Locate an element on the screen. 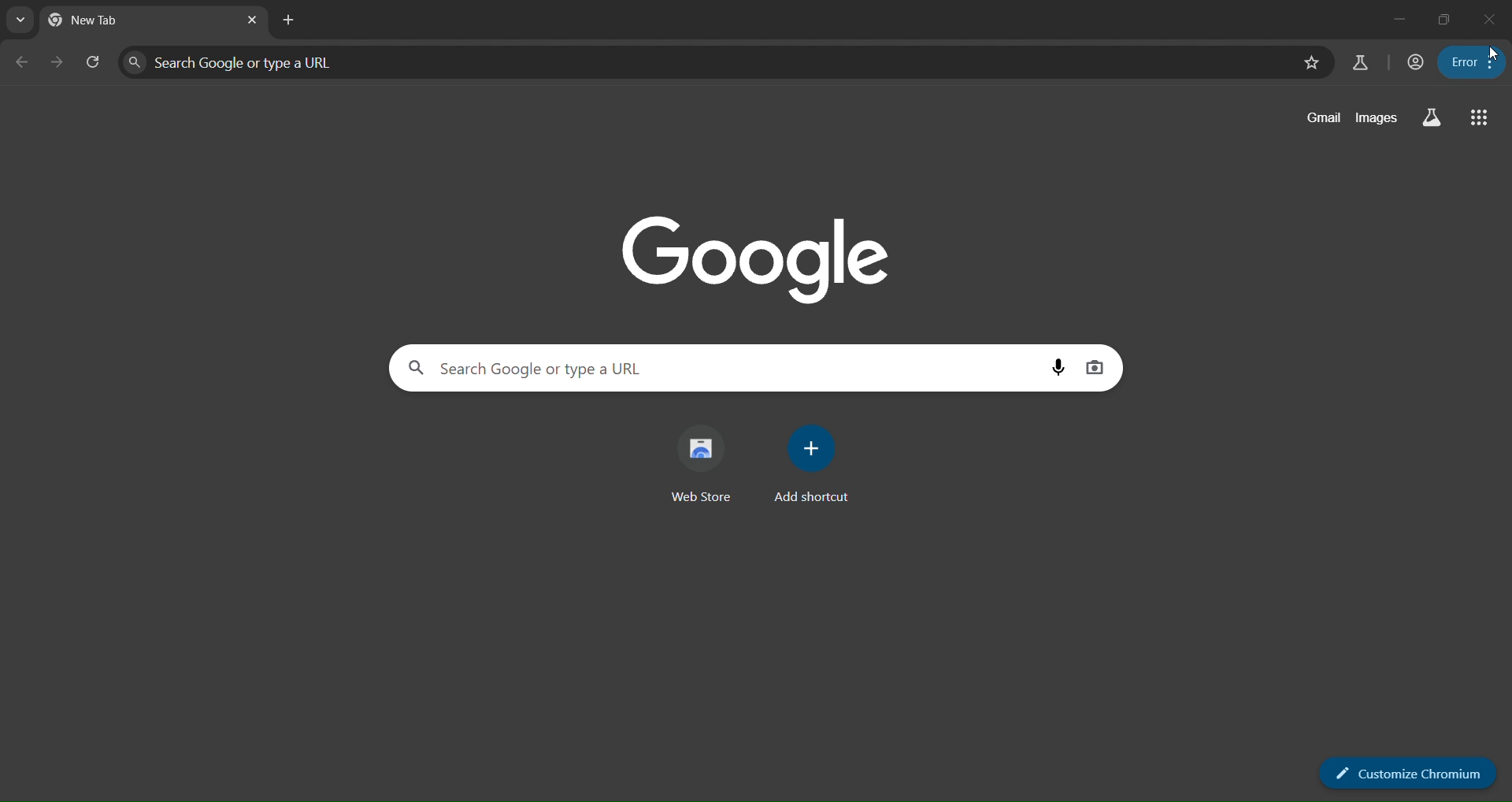 The image size is (1512, 802). cursor is located at coordinates (1490, 54).